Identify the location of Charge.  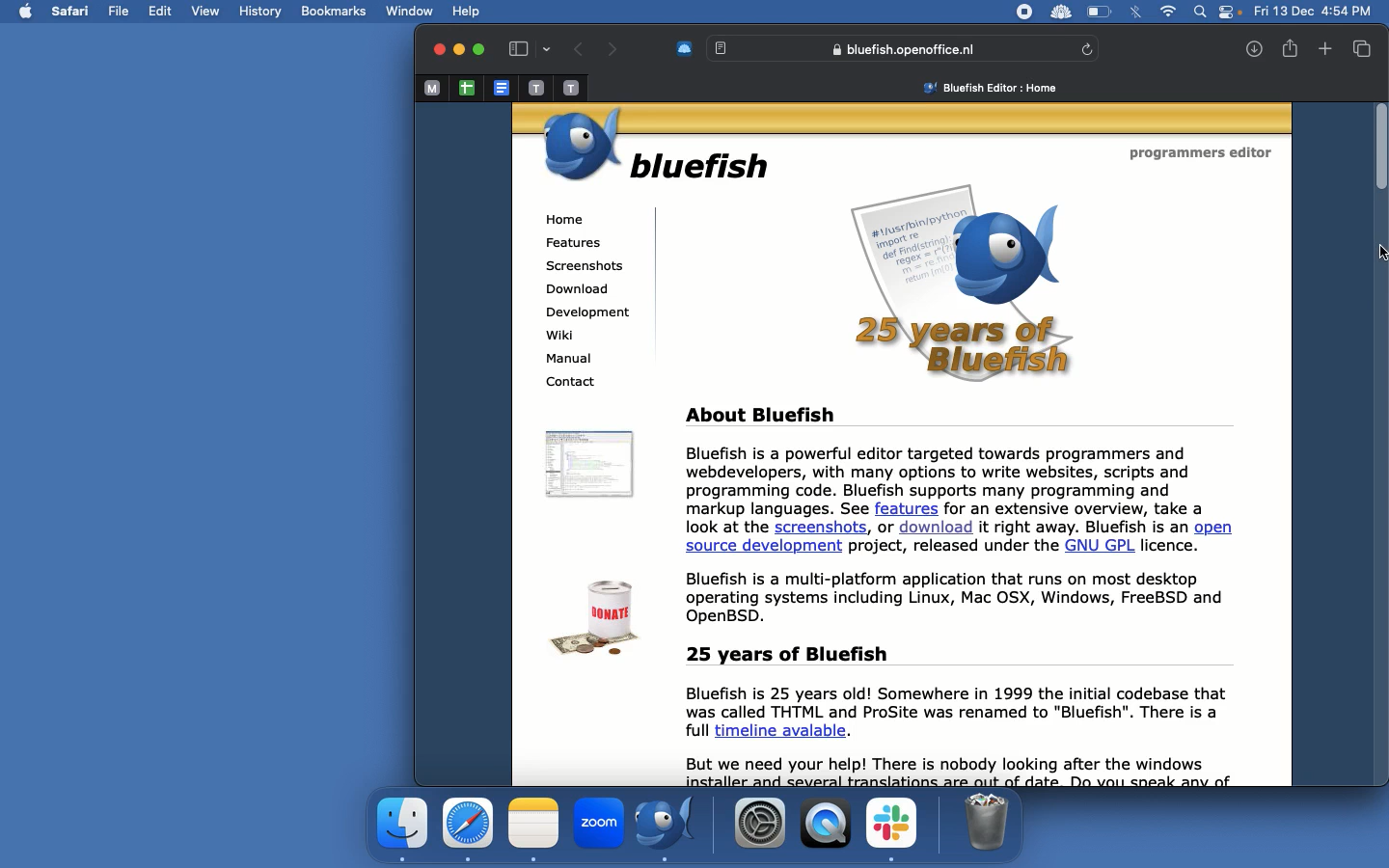
(1100, 13).